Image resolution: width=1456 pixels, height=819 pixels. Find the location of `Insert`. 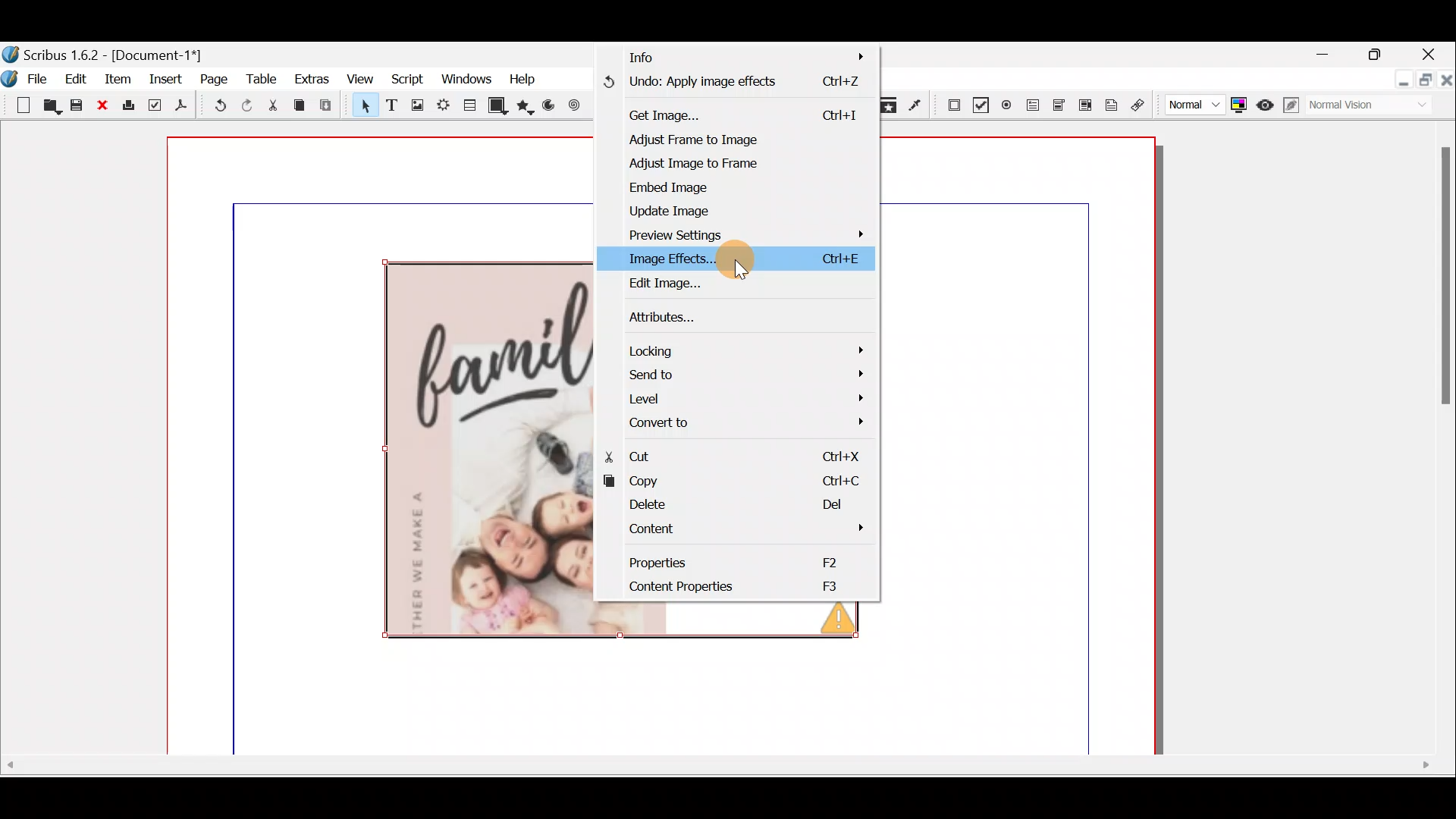

Insert is located at coordinates (165, 83).